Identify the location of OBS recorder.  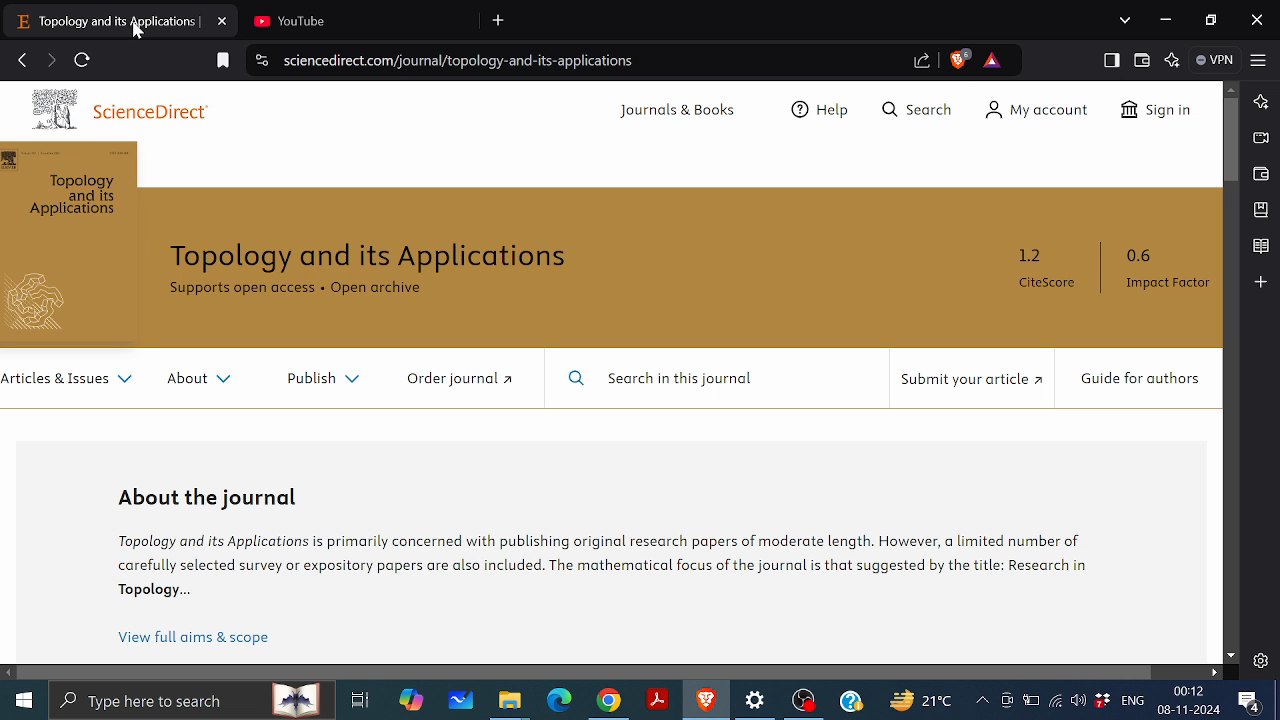
(805, 703).